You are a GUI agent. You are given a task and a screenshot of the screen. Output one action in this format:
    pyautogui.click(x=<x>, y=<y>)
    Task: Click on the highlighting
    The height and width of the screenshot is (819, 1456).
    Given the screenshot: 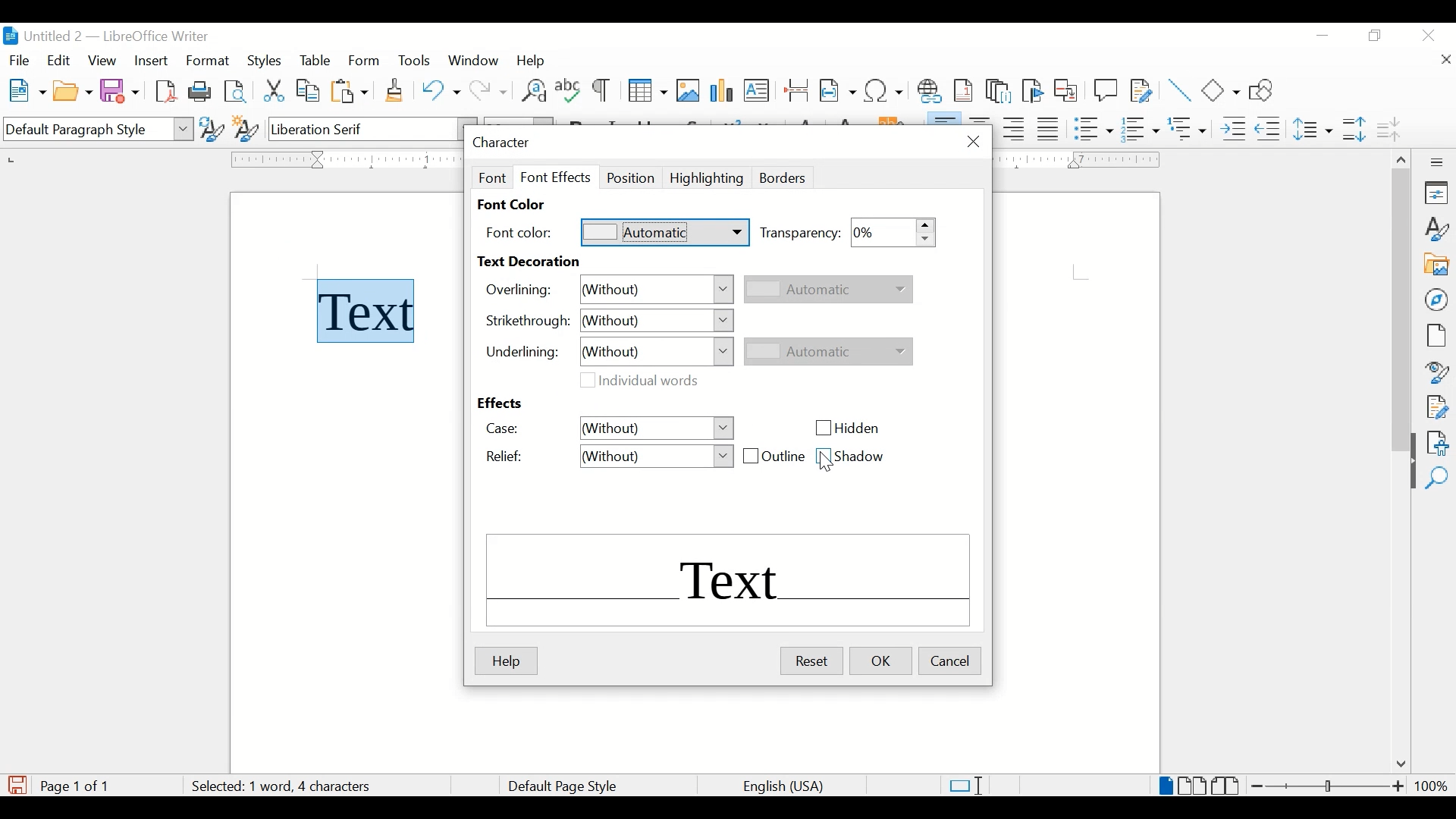 What is the action you would take?
    pyautogui.click(x=708, y=179)
    